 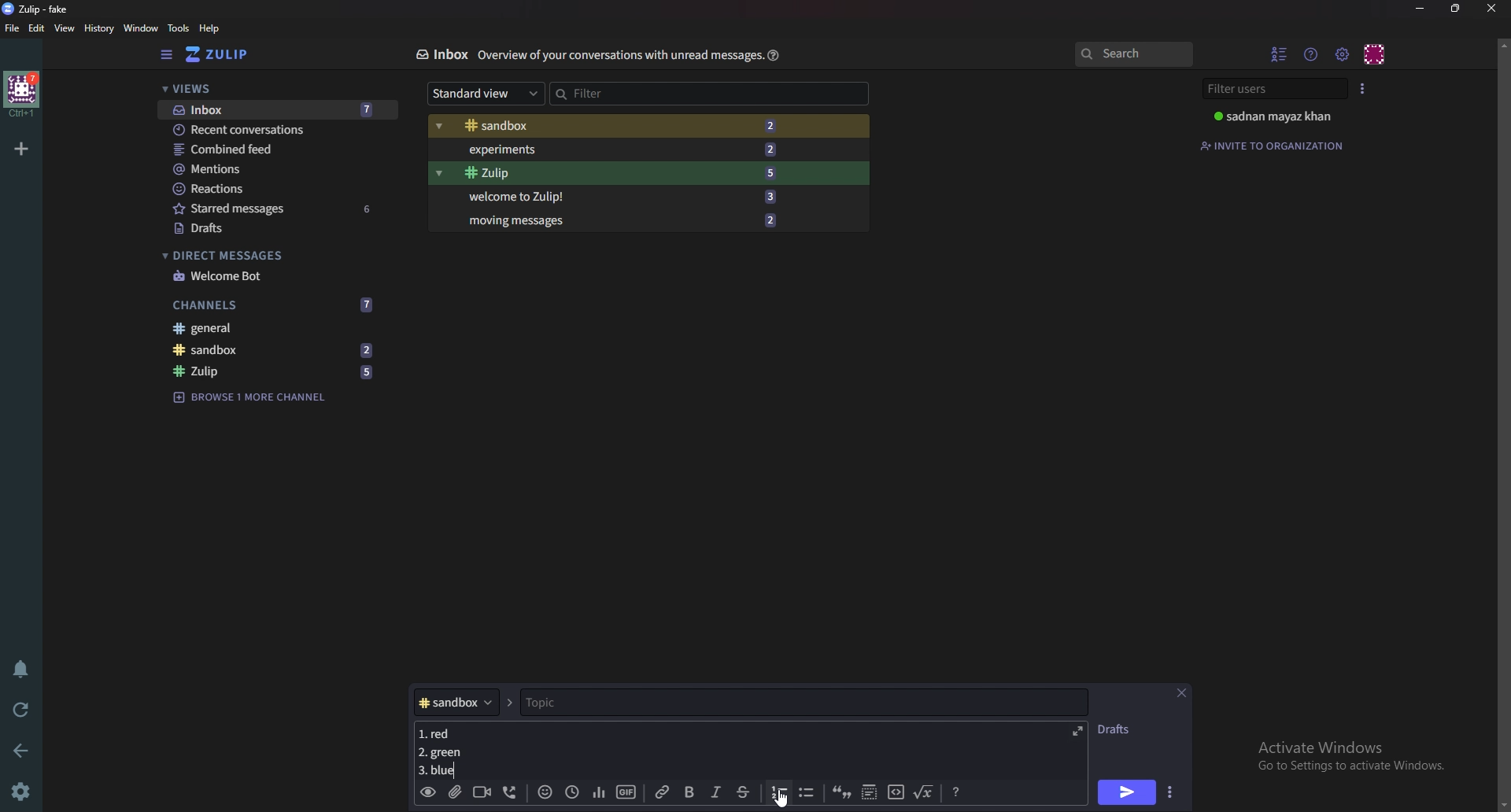 What do you see at coordinates (1364, 87) in the screenshot?
I see `User list style` at bounding box center [1364, 87].